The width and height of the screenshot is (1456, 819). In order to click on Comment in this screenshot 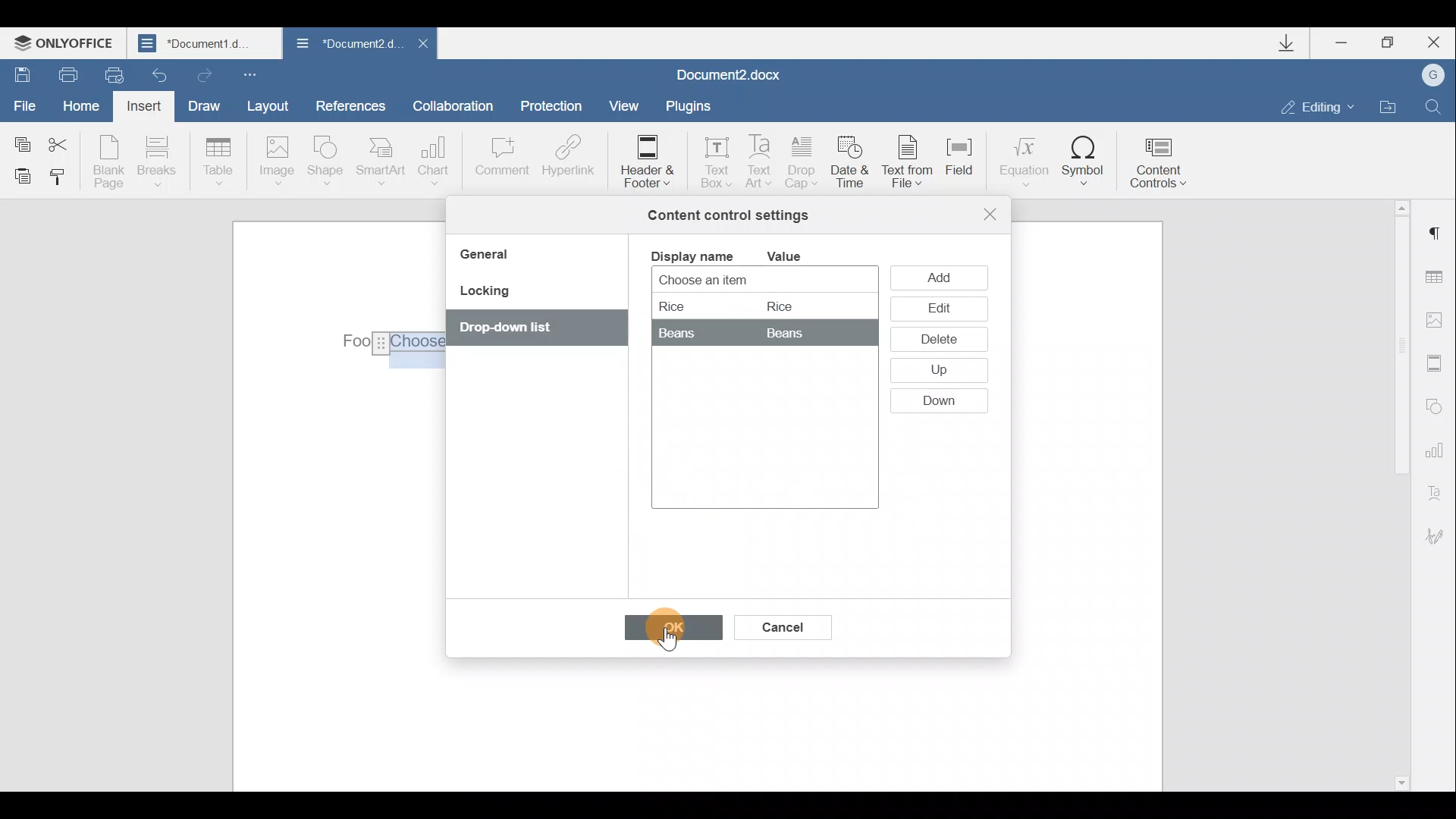, I will do `click(501, 164)`.